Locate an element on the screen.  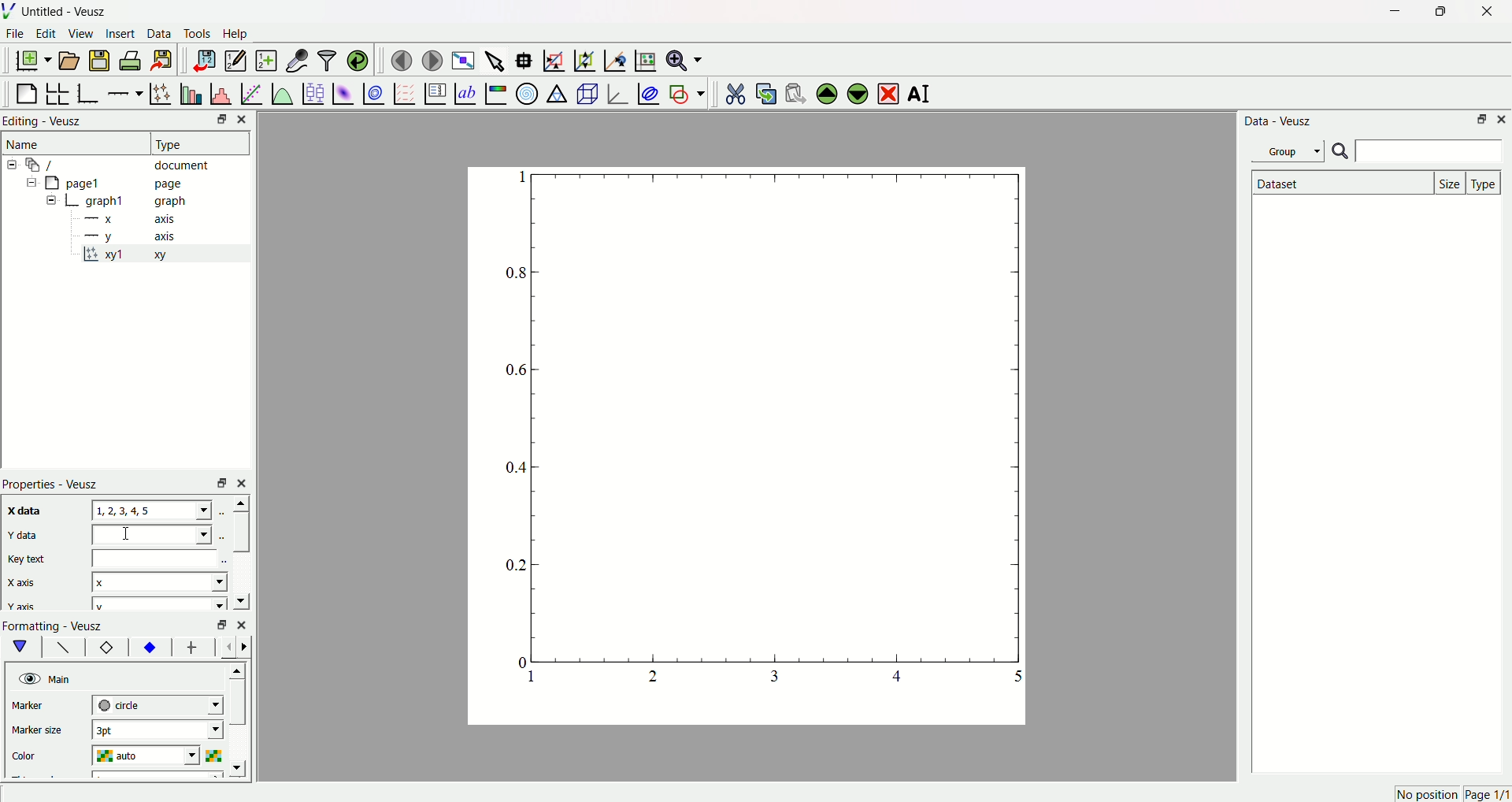
cut the widgets is located at coordinates (735, 91).